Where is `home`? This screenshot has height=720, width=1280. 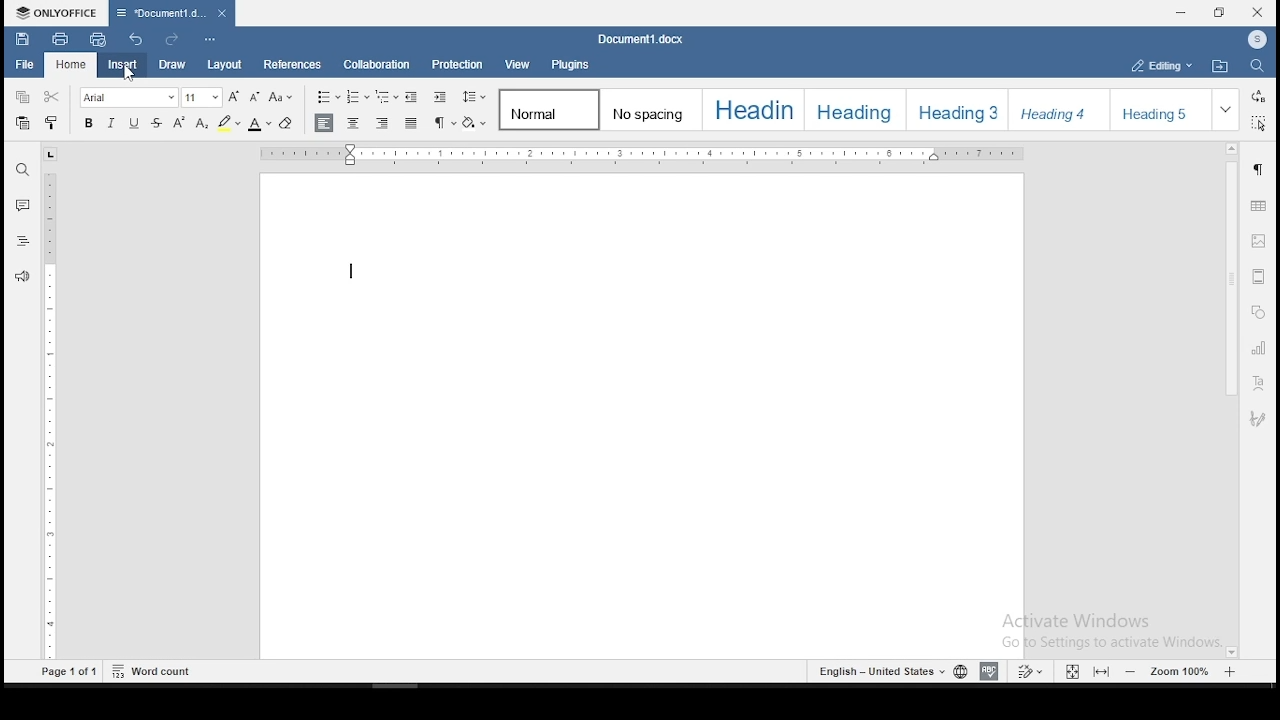 home is located at coordinates (71, 65).